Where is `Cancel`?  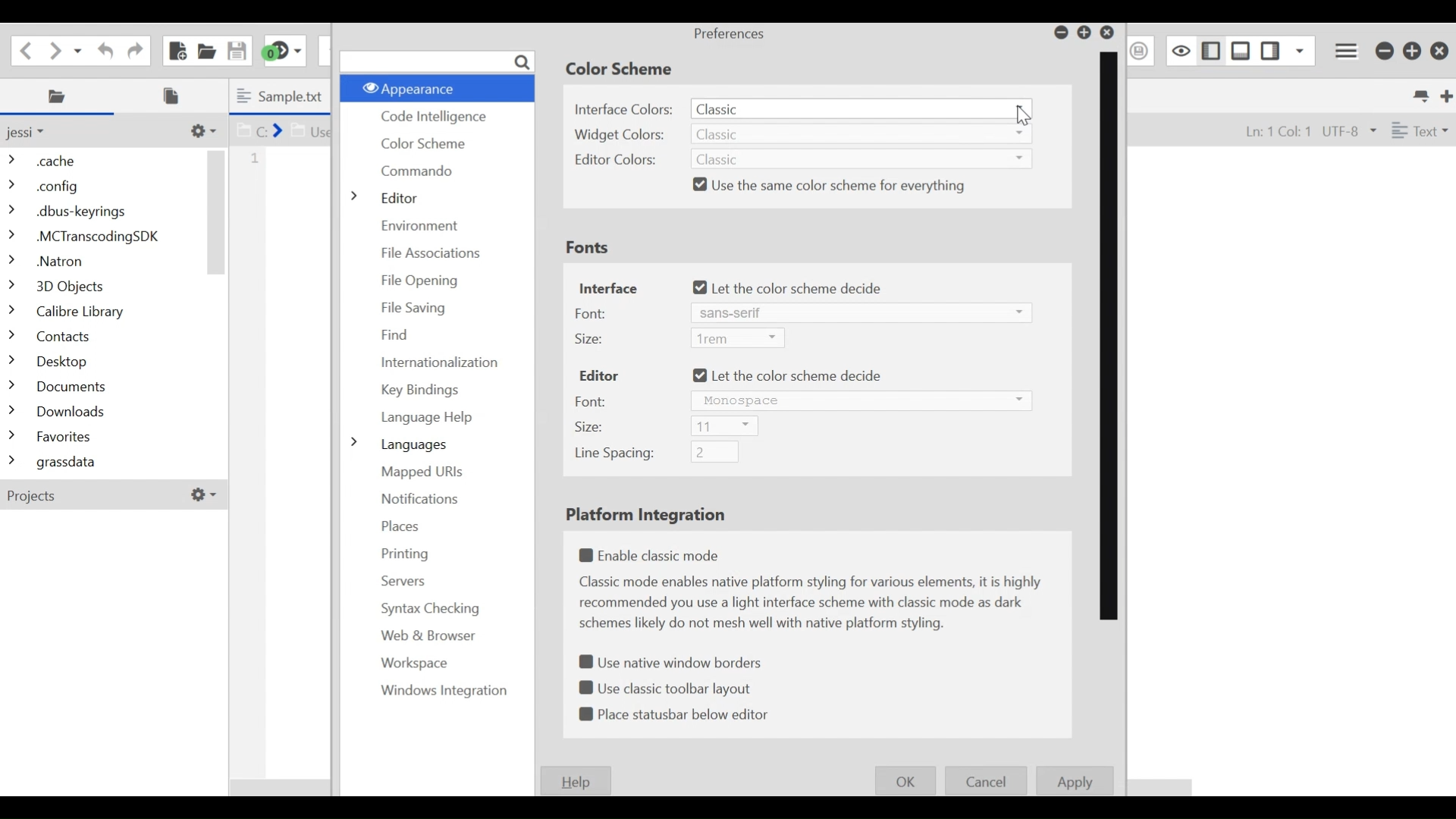 Cancel is located at coordinates (987, 780).